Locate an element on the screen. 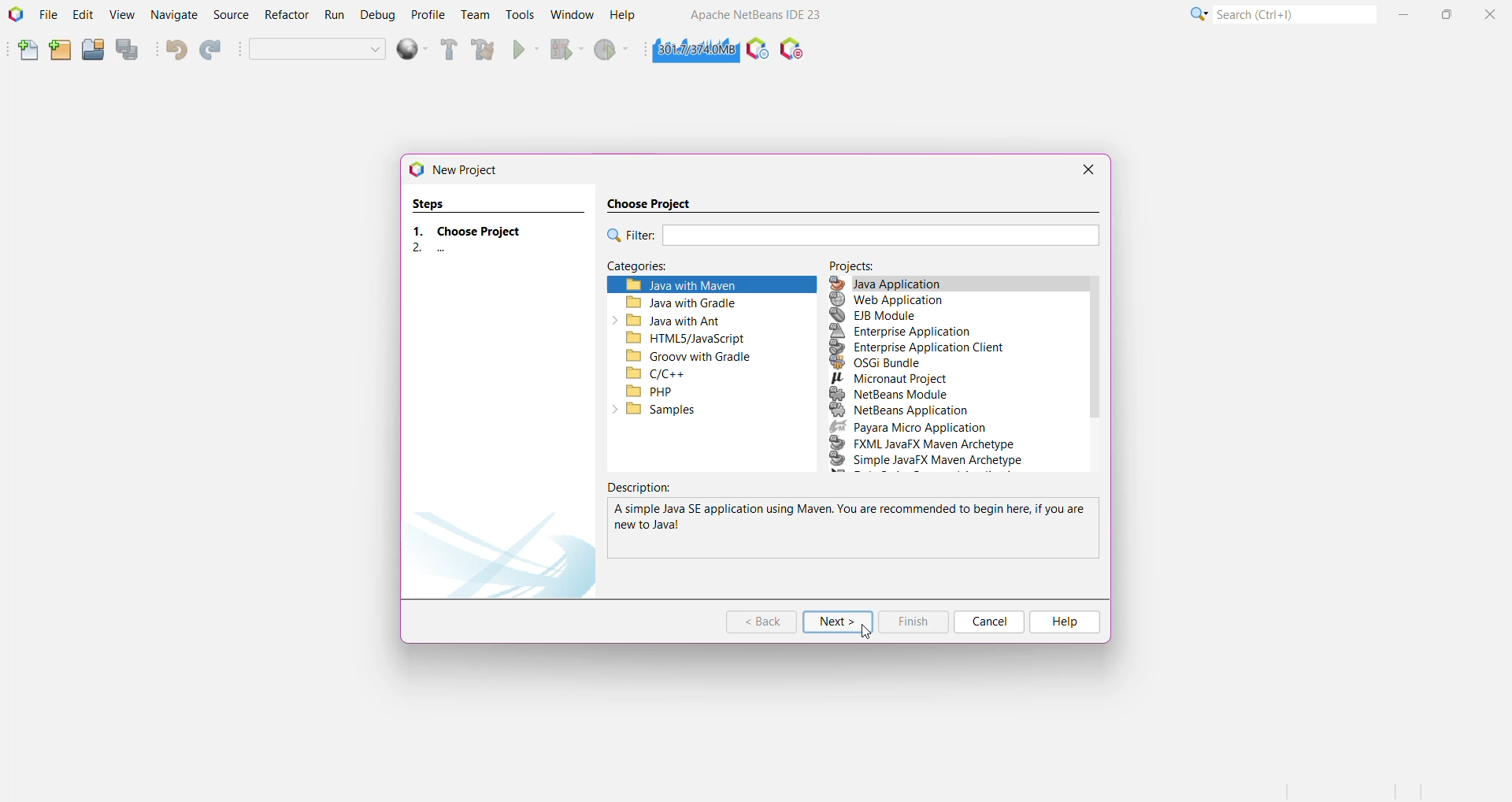 The image size is (1512, 802). Java with Maven is located at coordinates (713, 284).